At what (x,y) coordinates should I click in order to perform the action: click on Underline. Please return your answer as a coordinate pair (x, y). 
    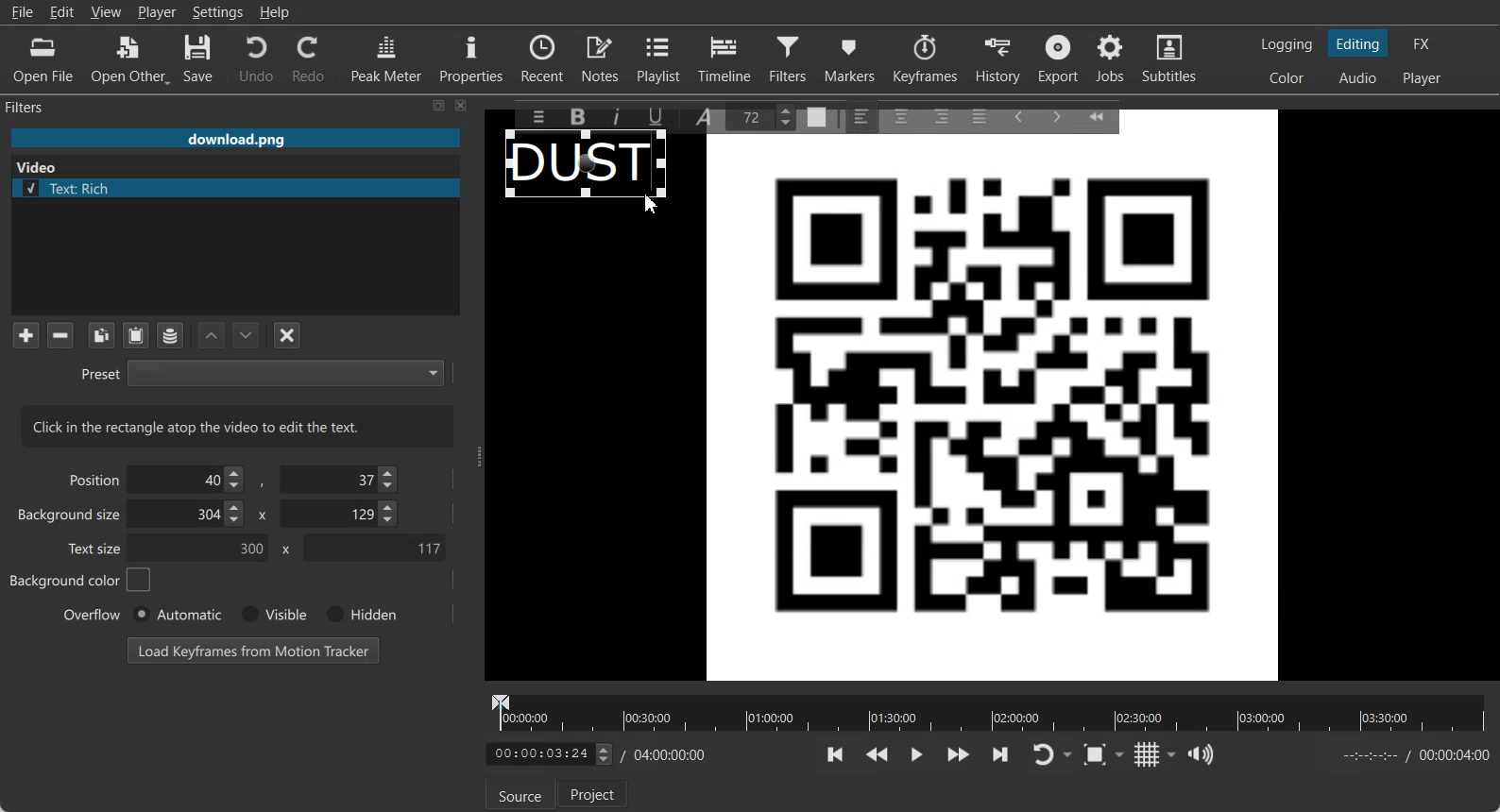
    Looking at the image, I should click on (662, 116).